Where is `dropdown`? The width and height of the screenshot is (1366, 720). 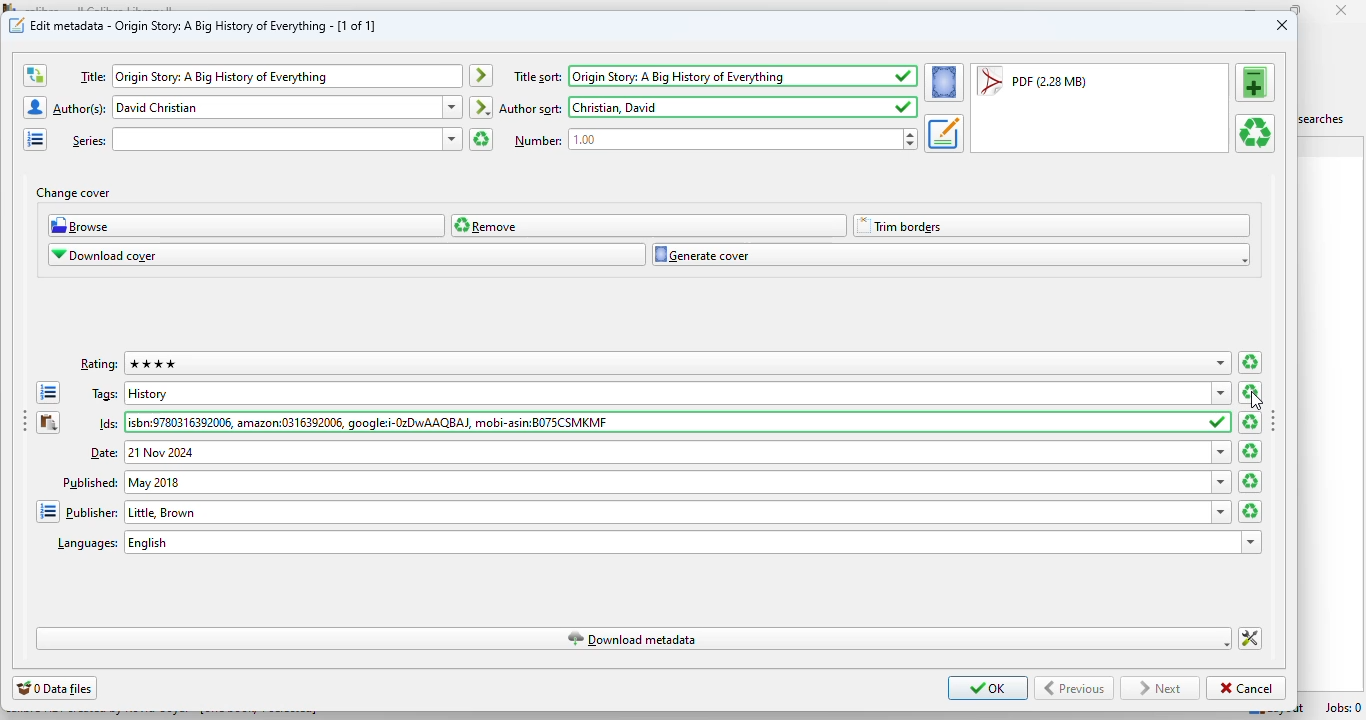 dropdown is located at coordinates (1224, 482).